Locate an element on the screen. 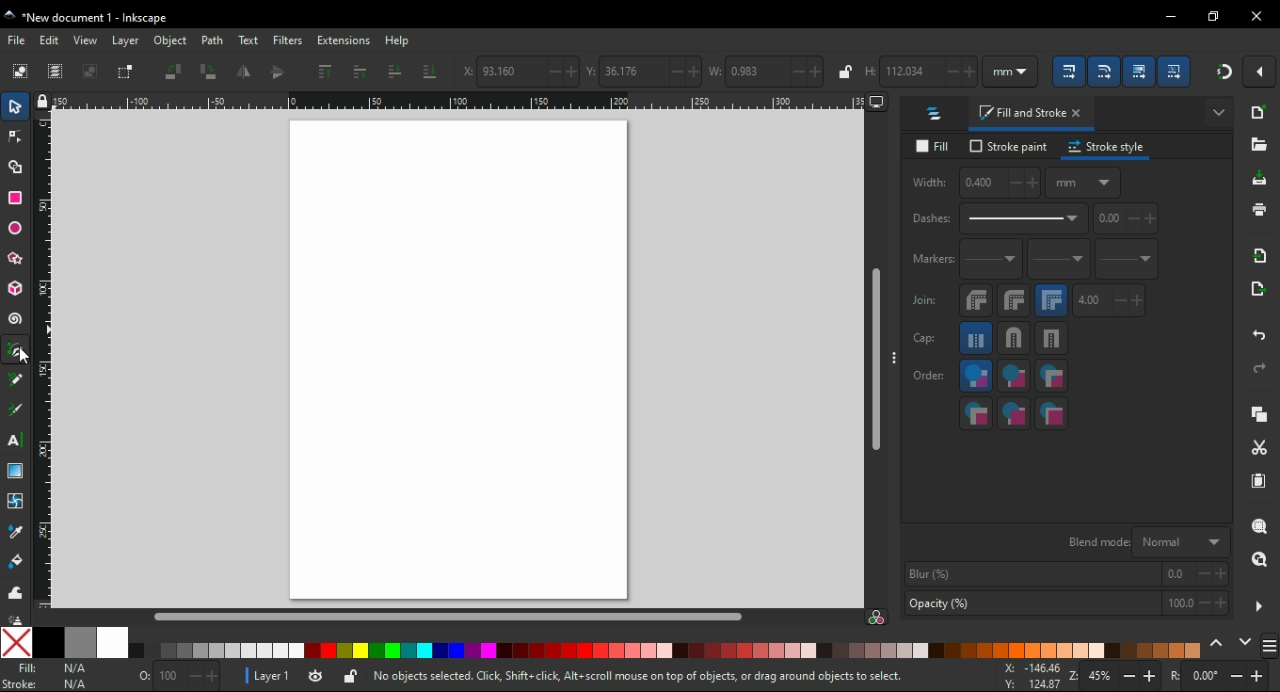 The width and height of the screenshot is (1280, 692). butt is located at coordinates (977, 338).